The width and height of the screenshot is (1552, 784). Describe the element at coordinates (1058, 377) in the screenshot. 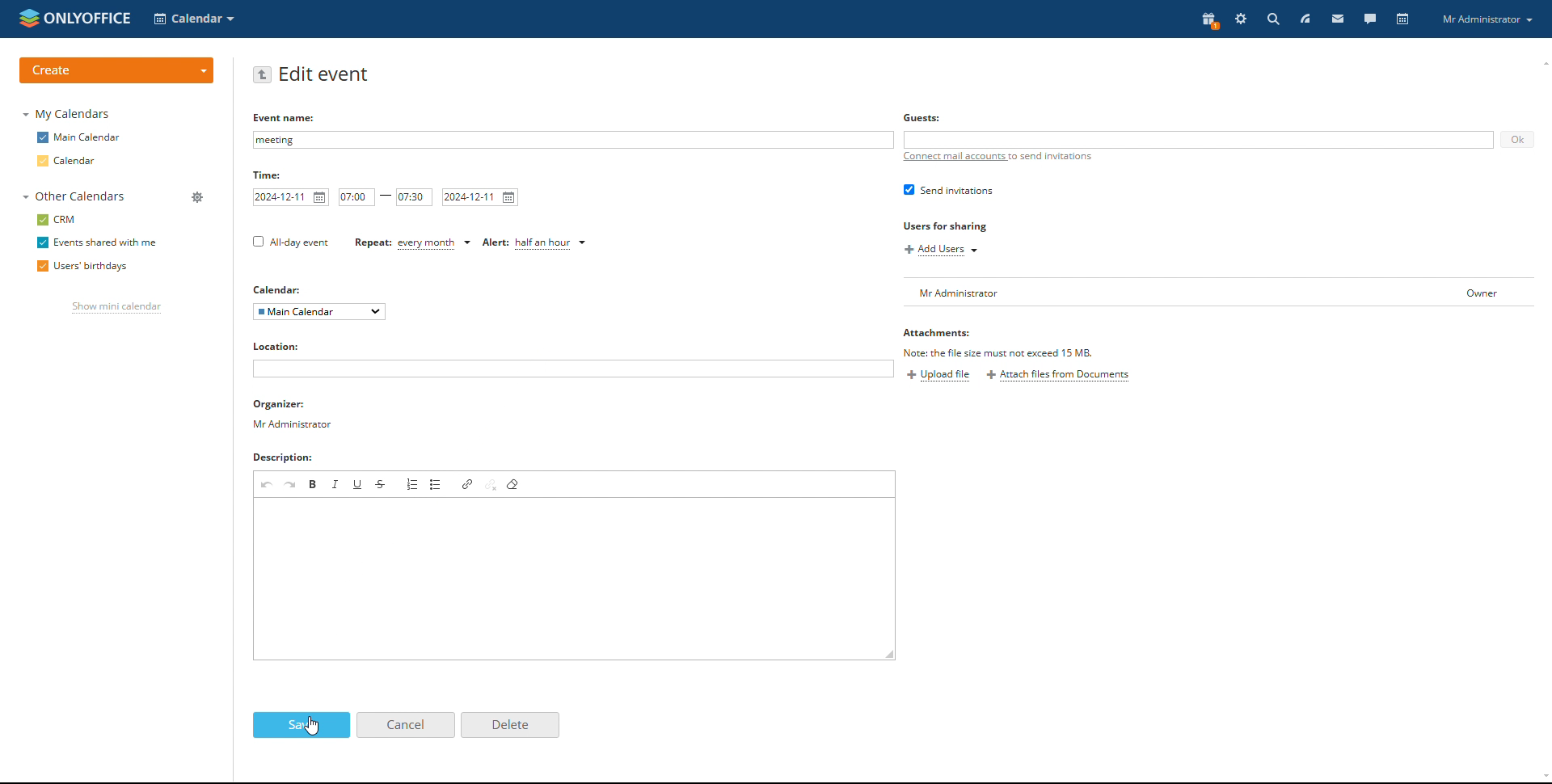

I see `attach files form documents` at that location.